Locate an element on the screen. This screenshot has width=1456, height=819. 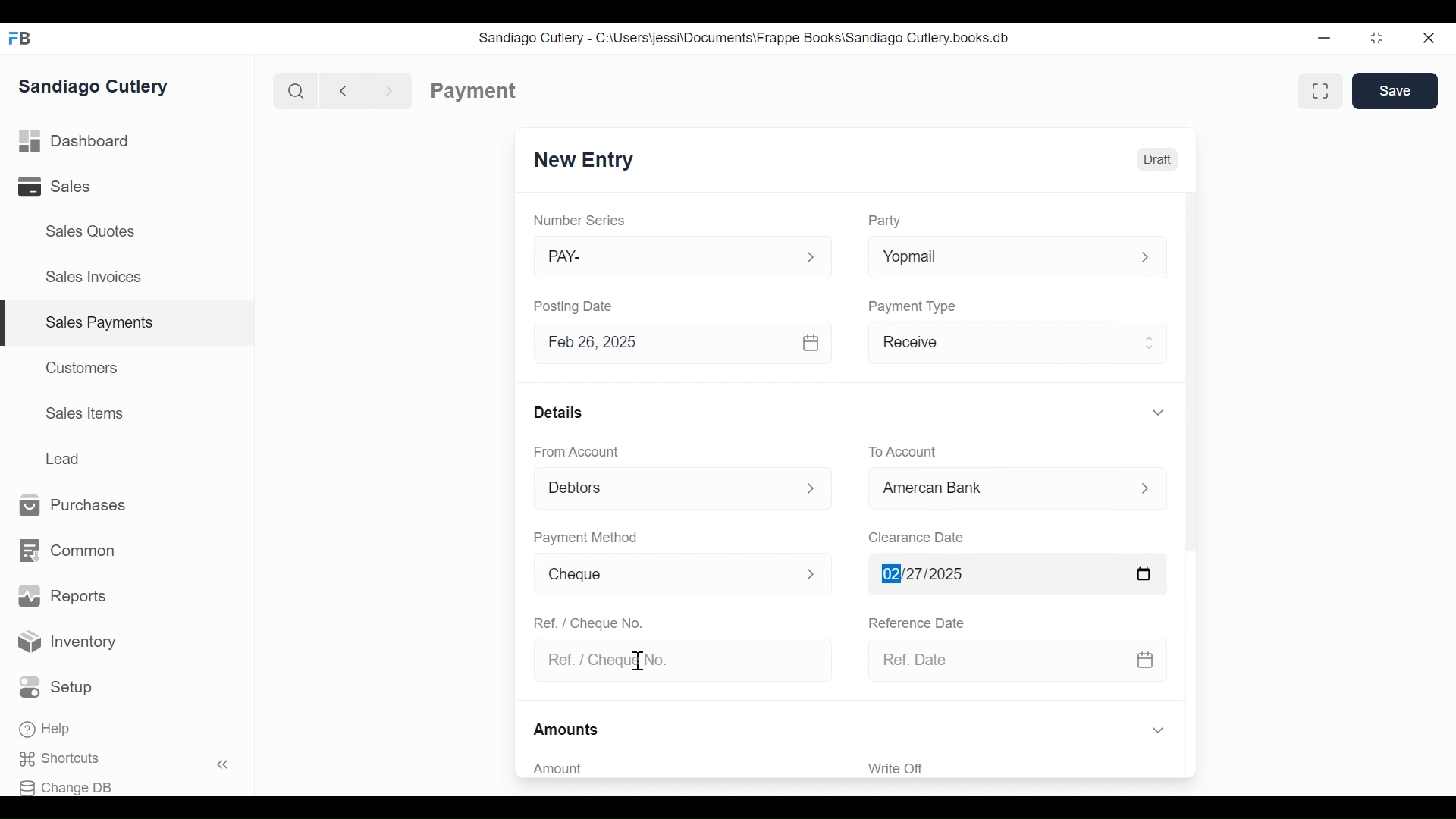
Toggle form and full width  is located at coordinates (1326, 88).